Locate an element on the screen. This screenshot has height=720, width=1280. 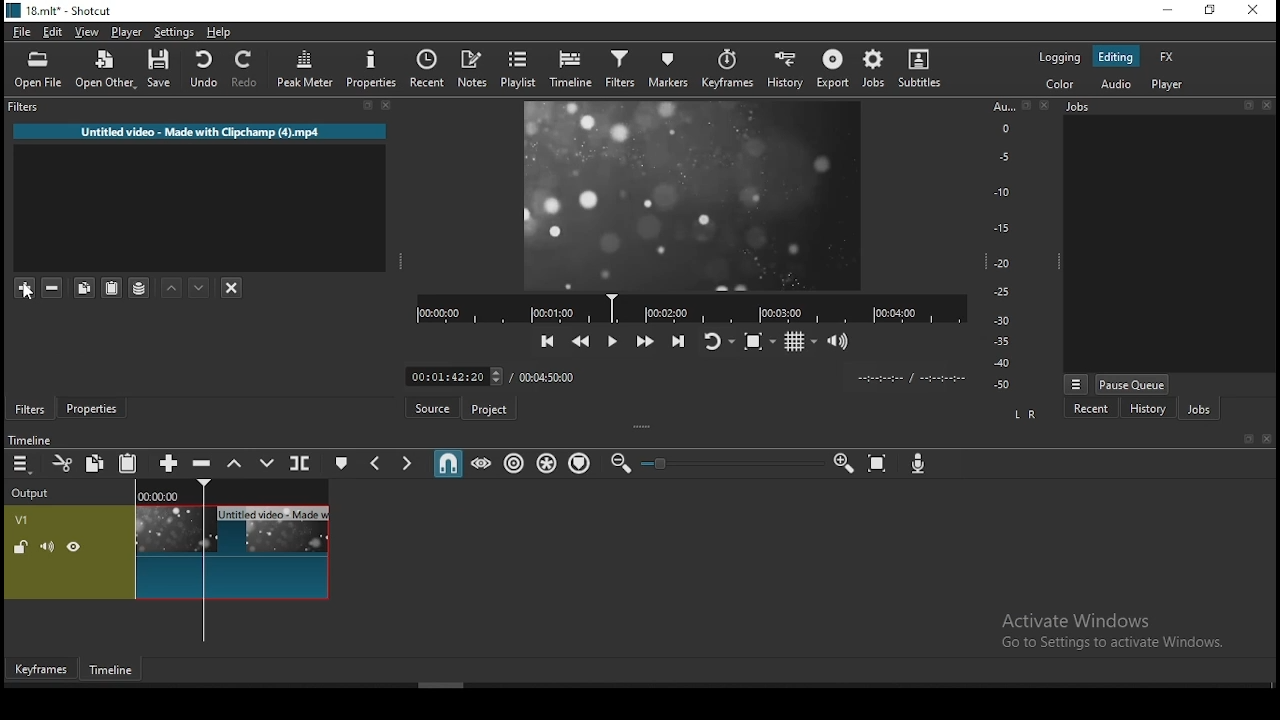
Detach is located at coordinates (368, 106).